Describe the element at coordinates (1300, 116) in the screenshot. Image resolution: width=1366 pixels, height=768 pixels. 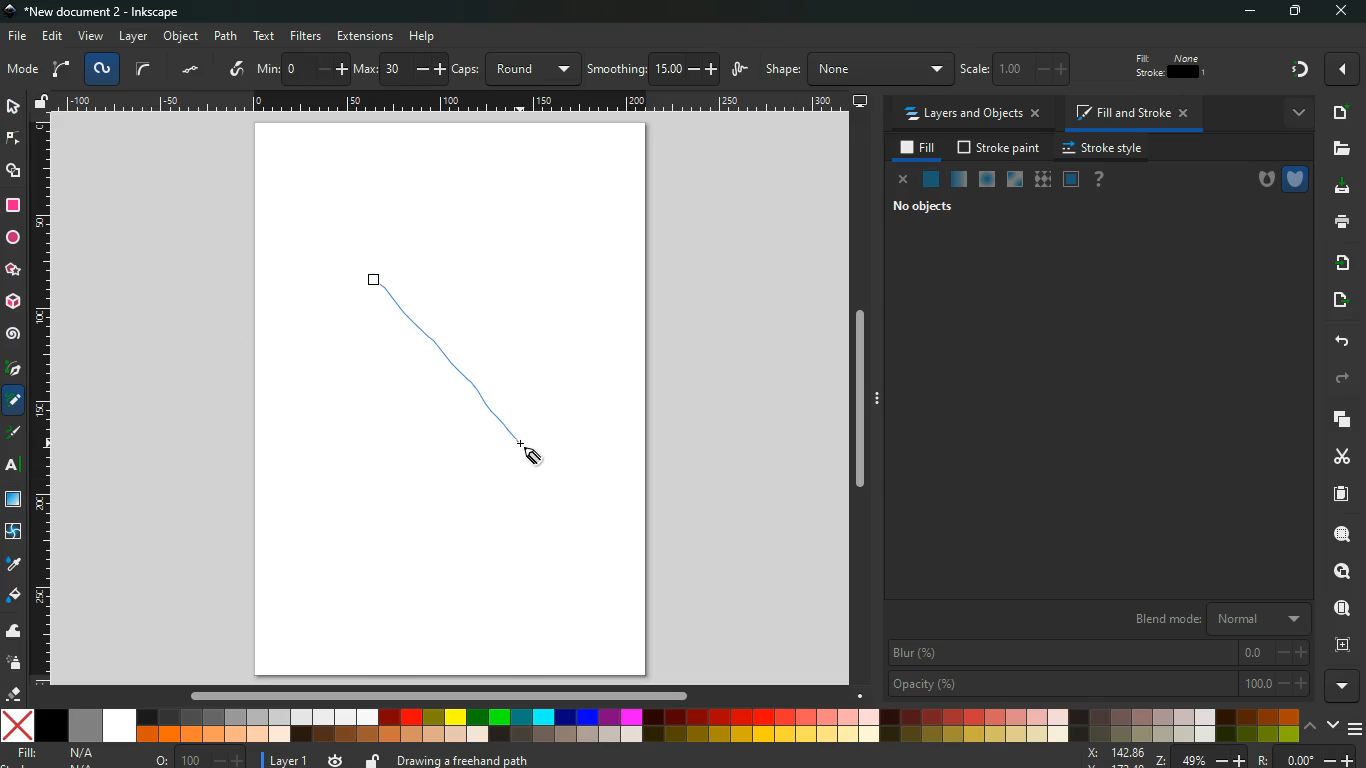
I see `more` at that location.